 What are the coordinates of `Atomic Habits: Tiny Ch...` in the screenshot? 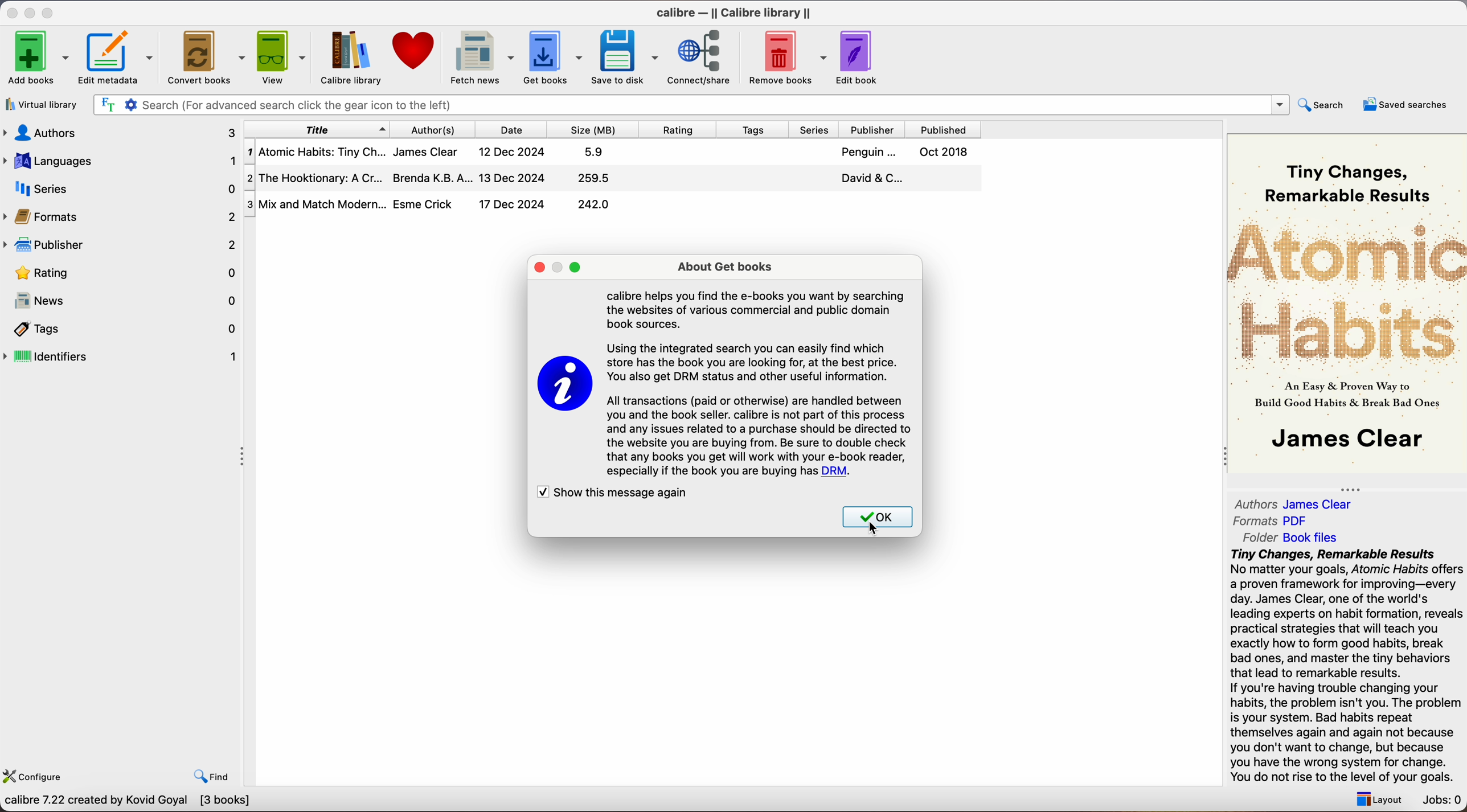 It's located at (315, 153).